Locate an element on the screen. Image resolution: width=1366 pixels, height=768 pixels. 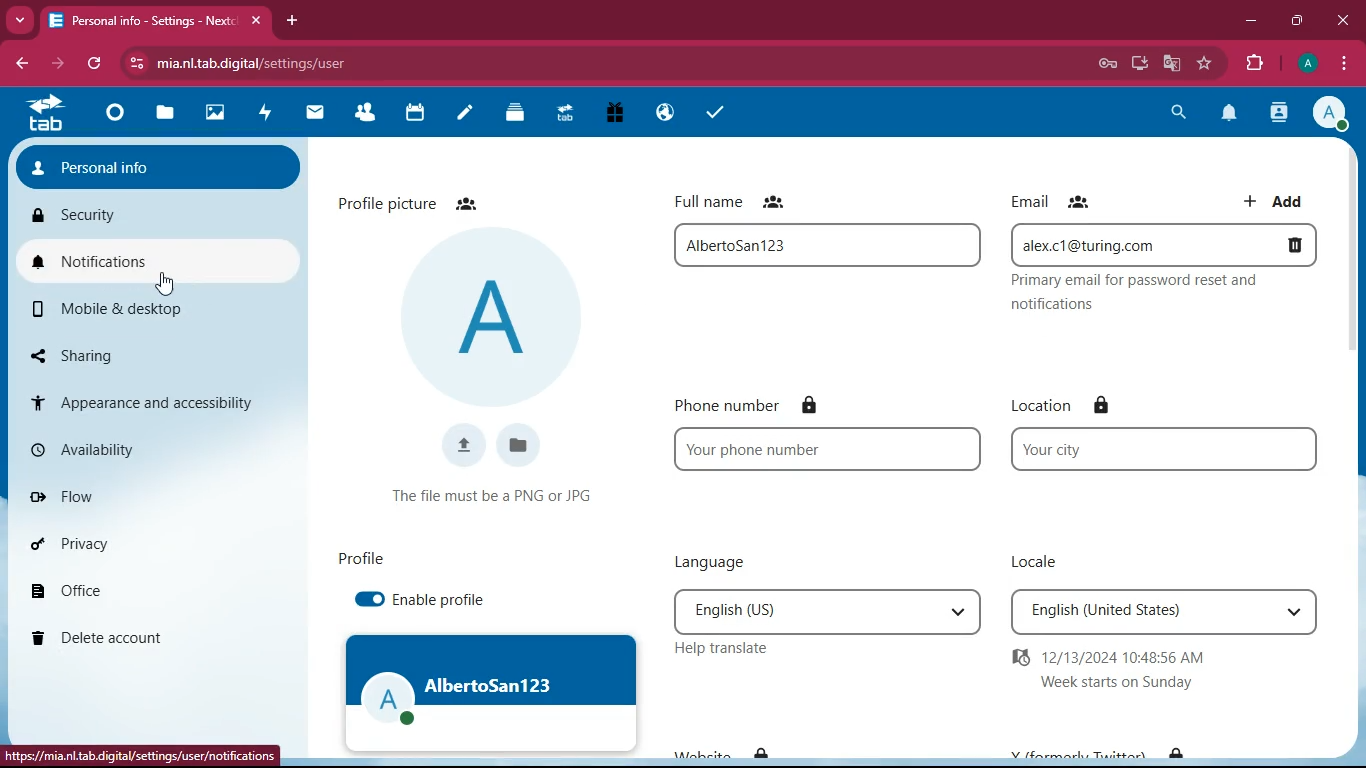
bookmark this tab is located at coordinates (1205, 61).